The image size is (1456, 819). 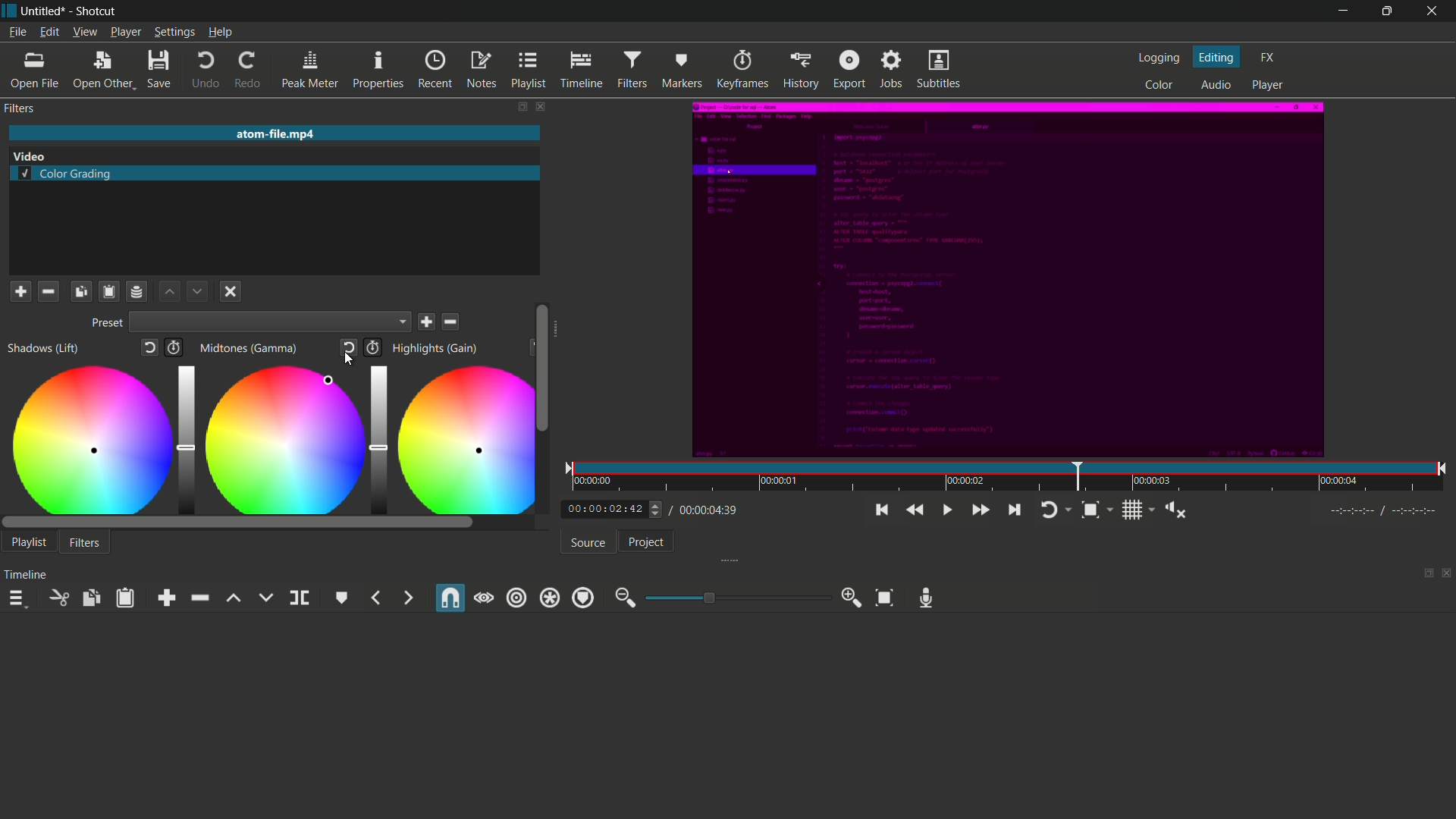 I want to click on audio, so click(x=1213, y=86).